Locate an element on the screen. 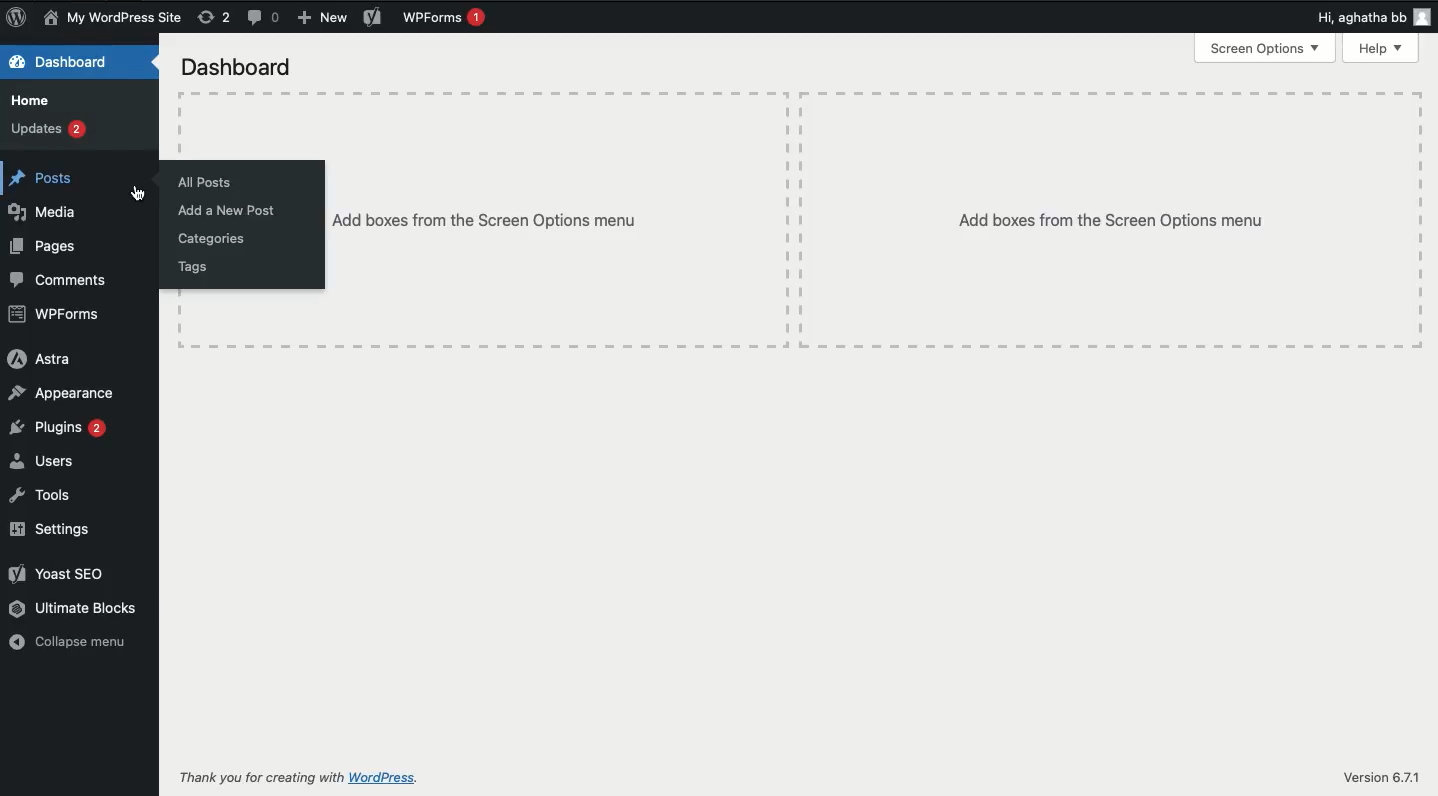  WPForms is located at coordinates (445, 19).